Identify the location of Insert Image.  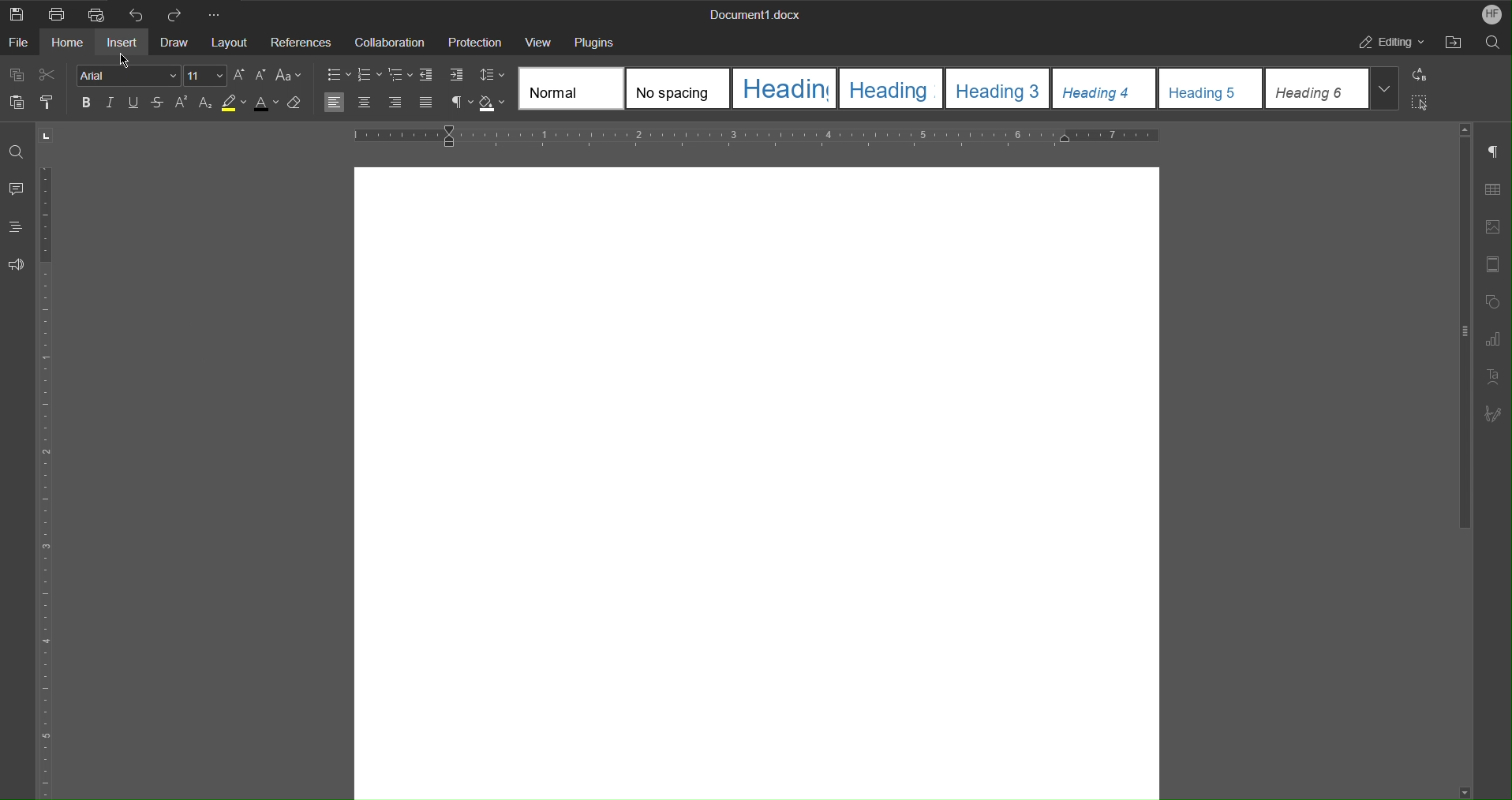
(1493, 228).